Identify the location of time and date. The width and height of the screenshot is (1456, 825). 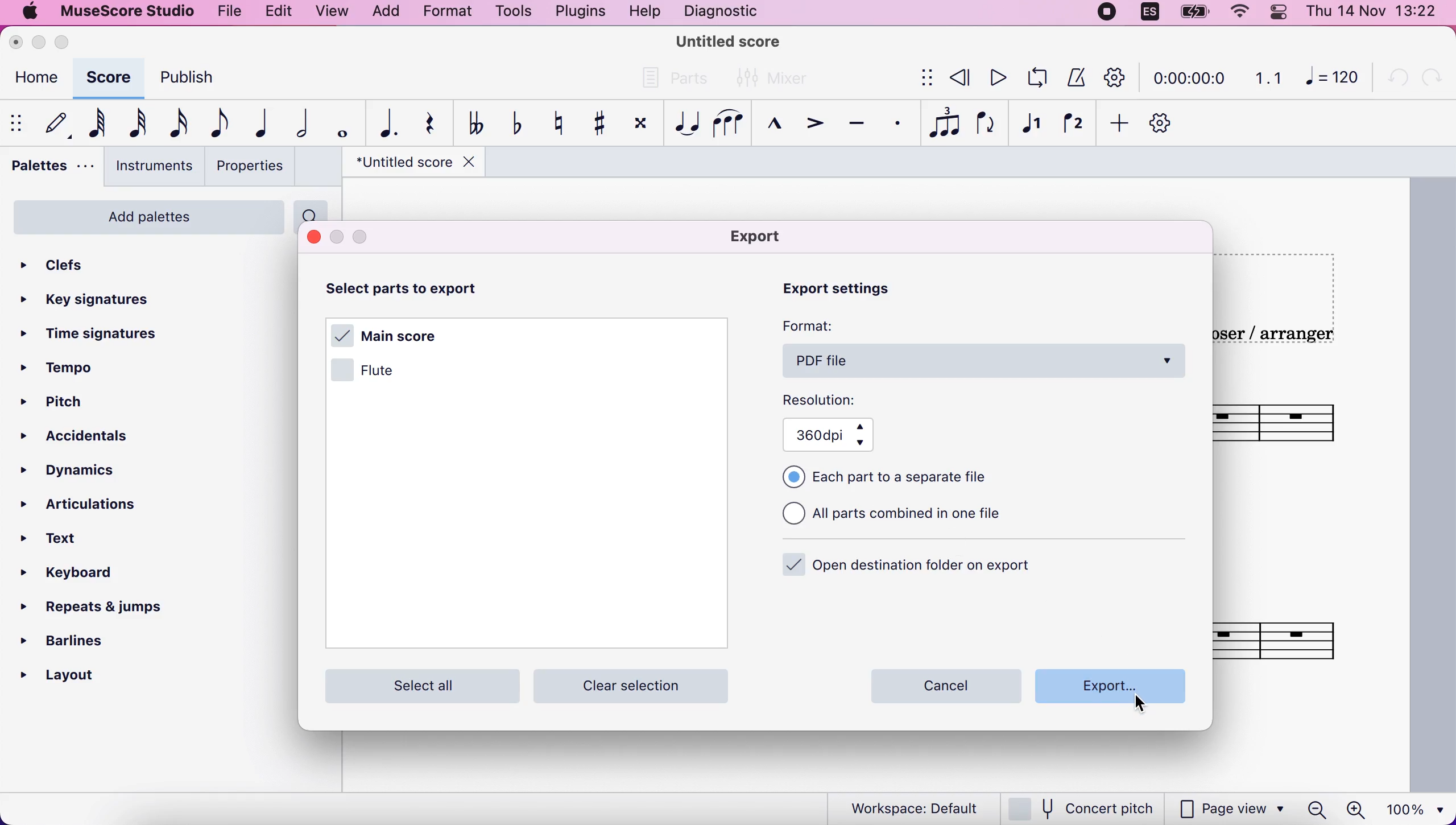
(1376, 14).